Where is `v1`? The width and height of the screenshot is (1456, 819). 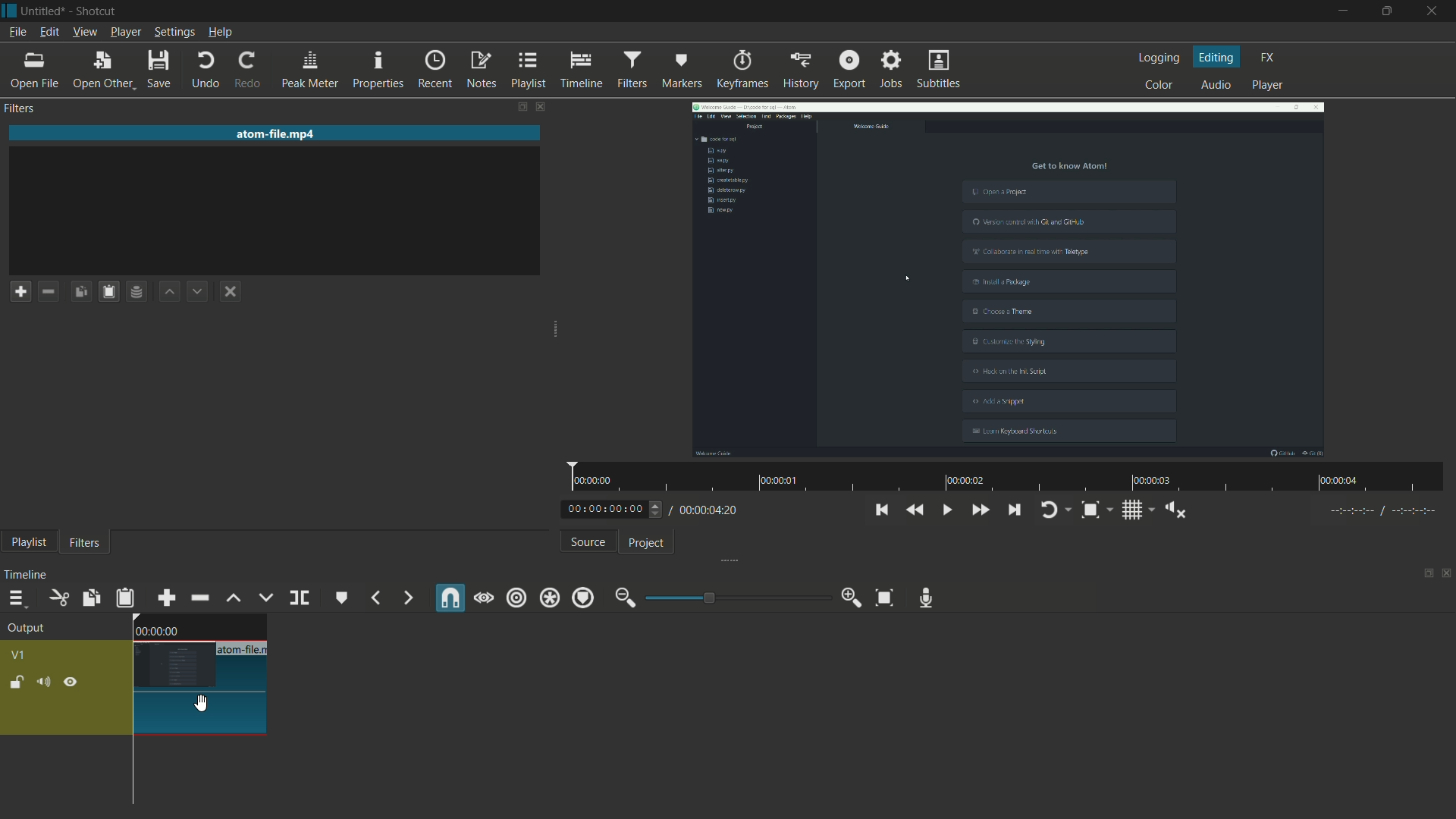 v1 is located at coordinates (22, 655).